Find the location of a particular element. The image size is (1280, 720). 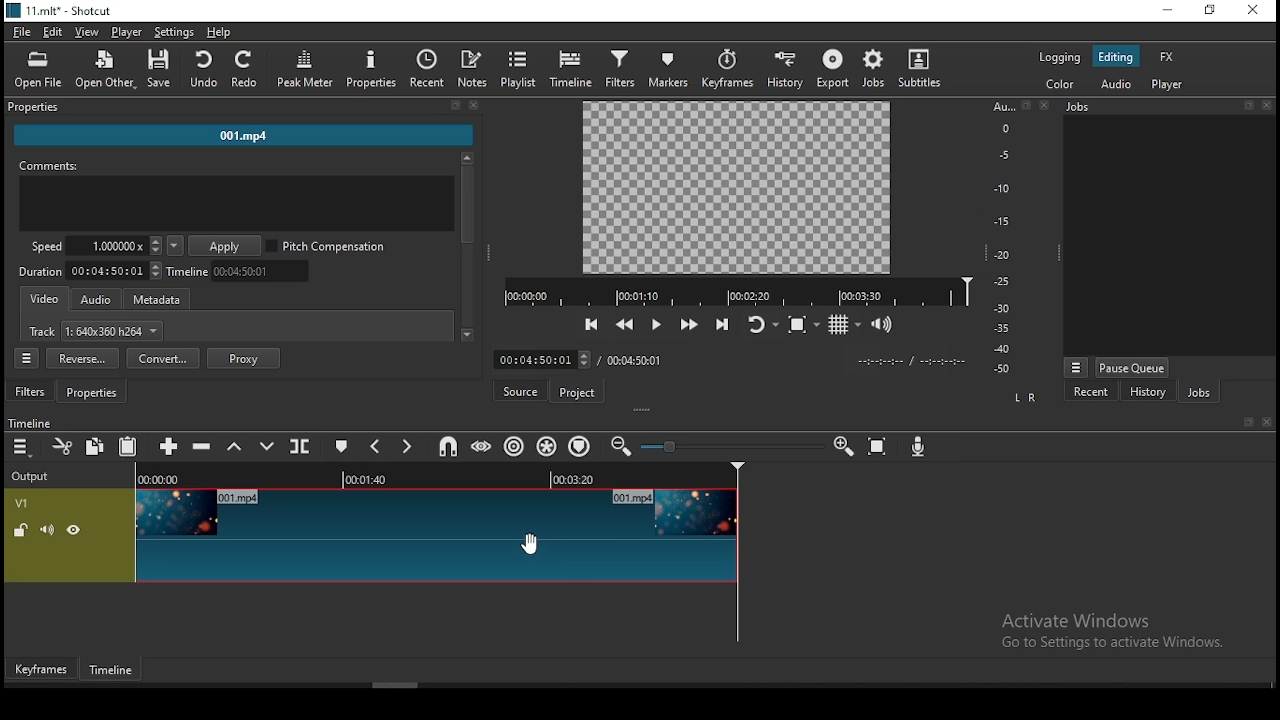

reverse is located at coordinates (84, 358).